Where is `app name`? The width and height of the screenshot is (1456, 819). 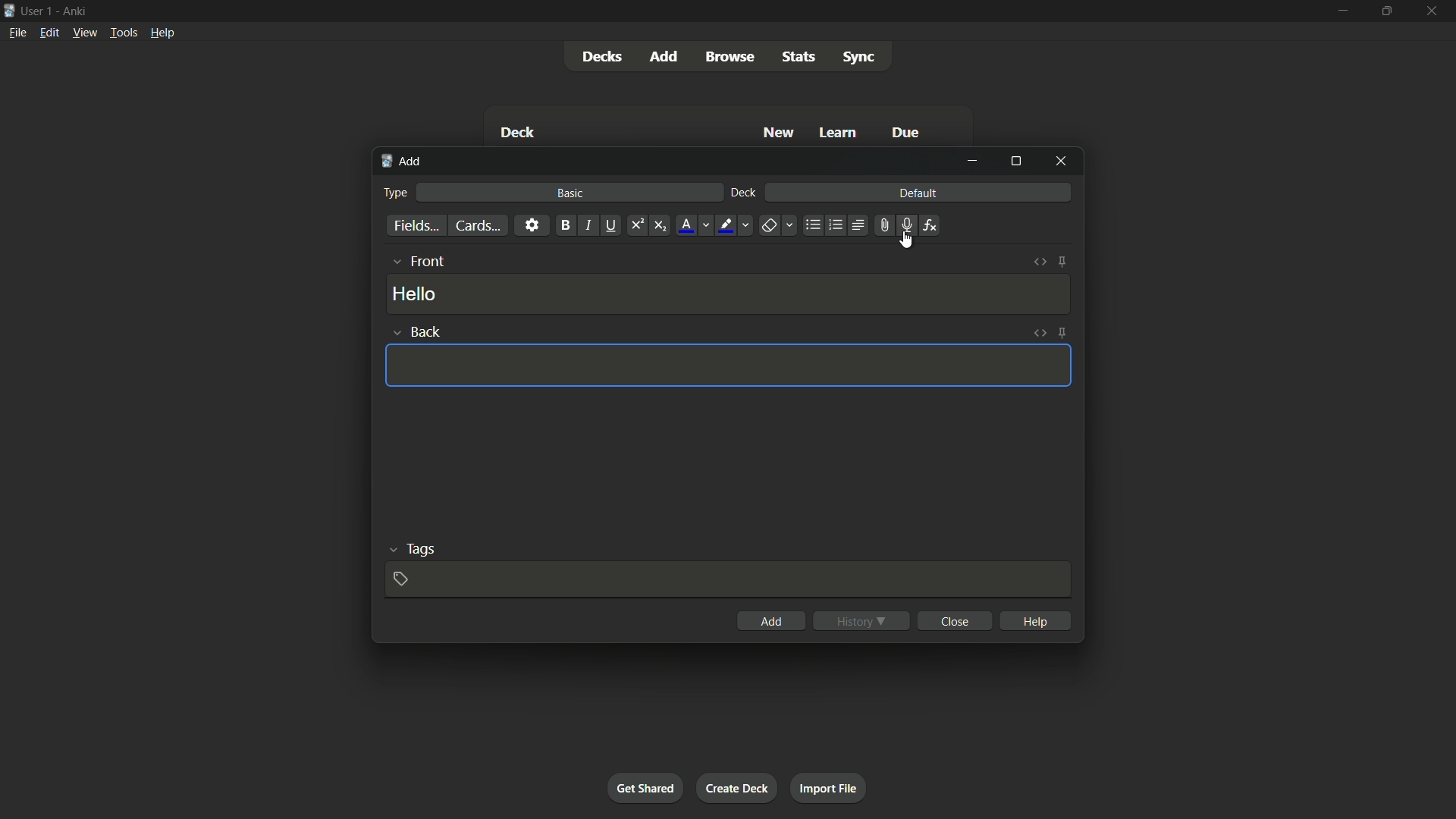 app name is located at coordinates (77, 11).